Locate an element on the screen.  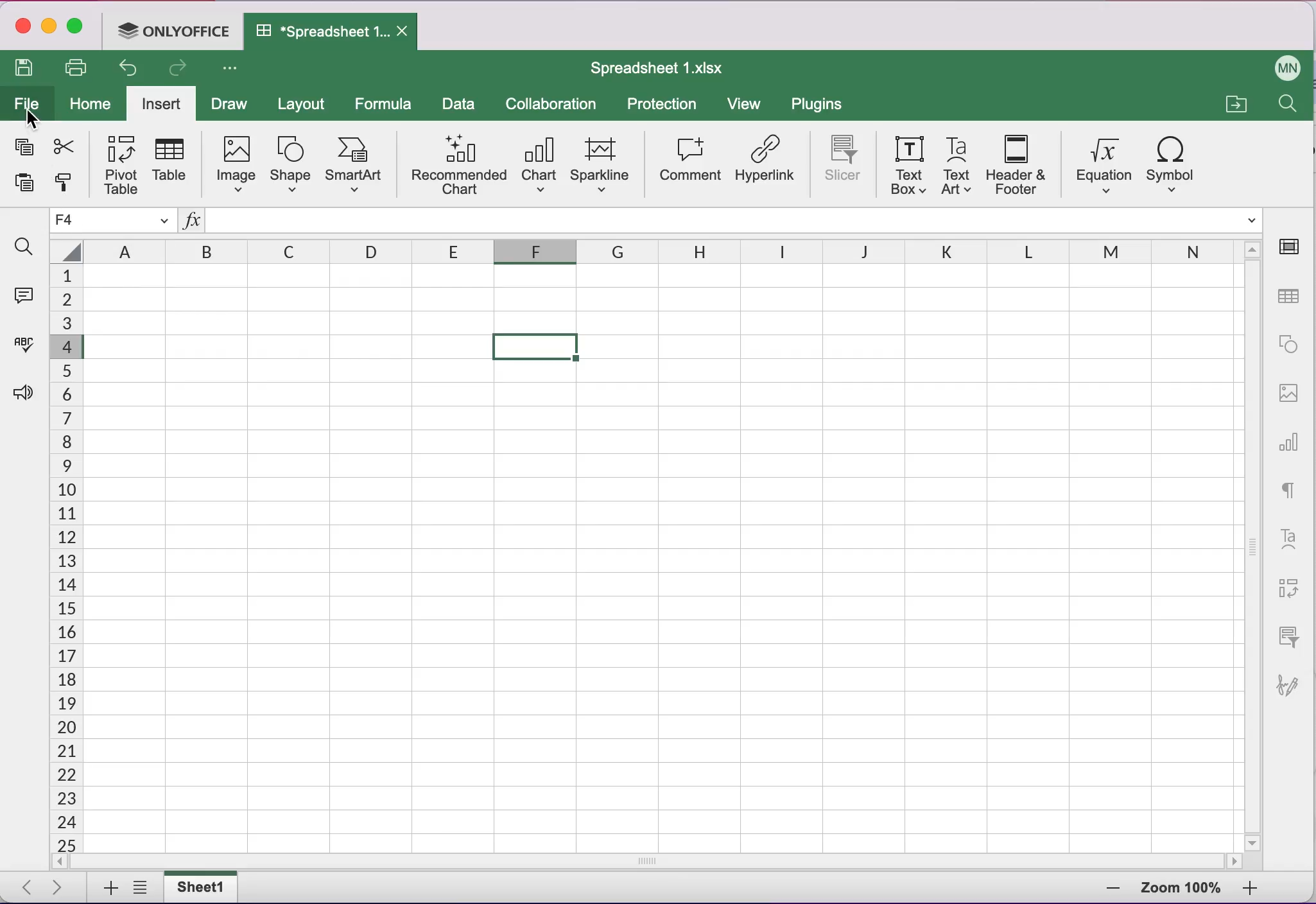
spreadsheet 1.xlsx is located at coordinates (666, 71).